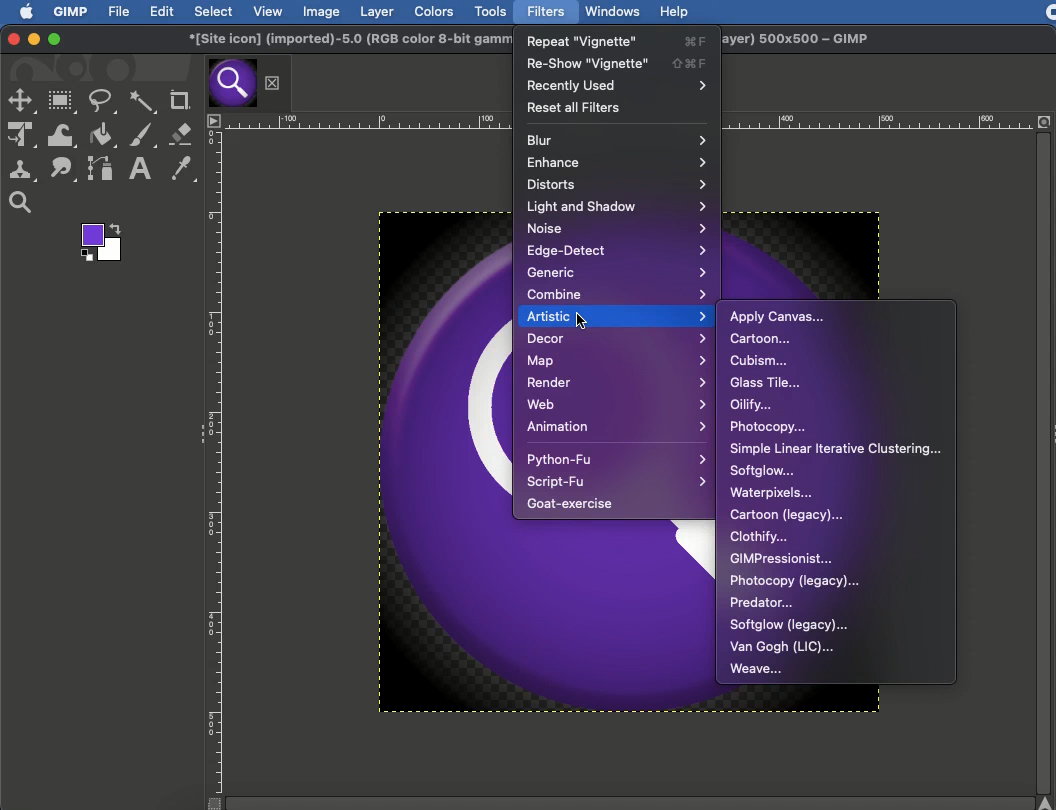 Image resolution: width=1056 pixels, height=810 pixels. What do you see at coordinates (576, 106) in the screenshot?
I see `Reset all filters` at bounding box center [576, 106].